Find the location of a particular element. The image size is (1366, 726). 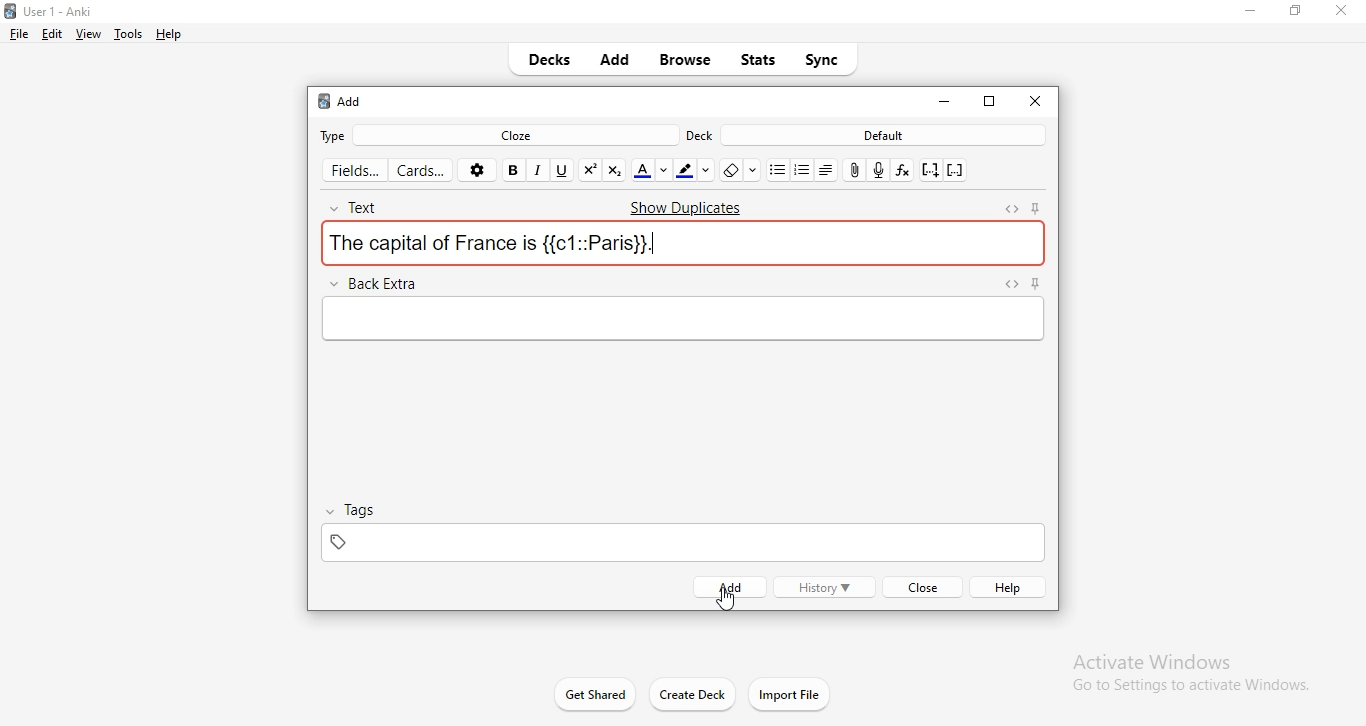

formula is located at coordinates (902, 168).